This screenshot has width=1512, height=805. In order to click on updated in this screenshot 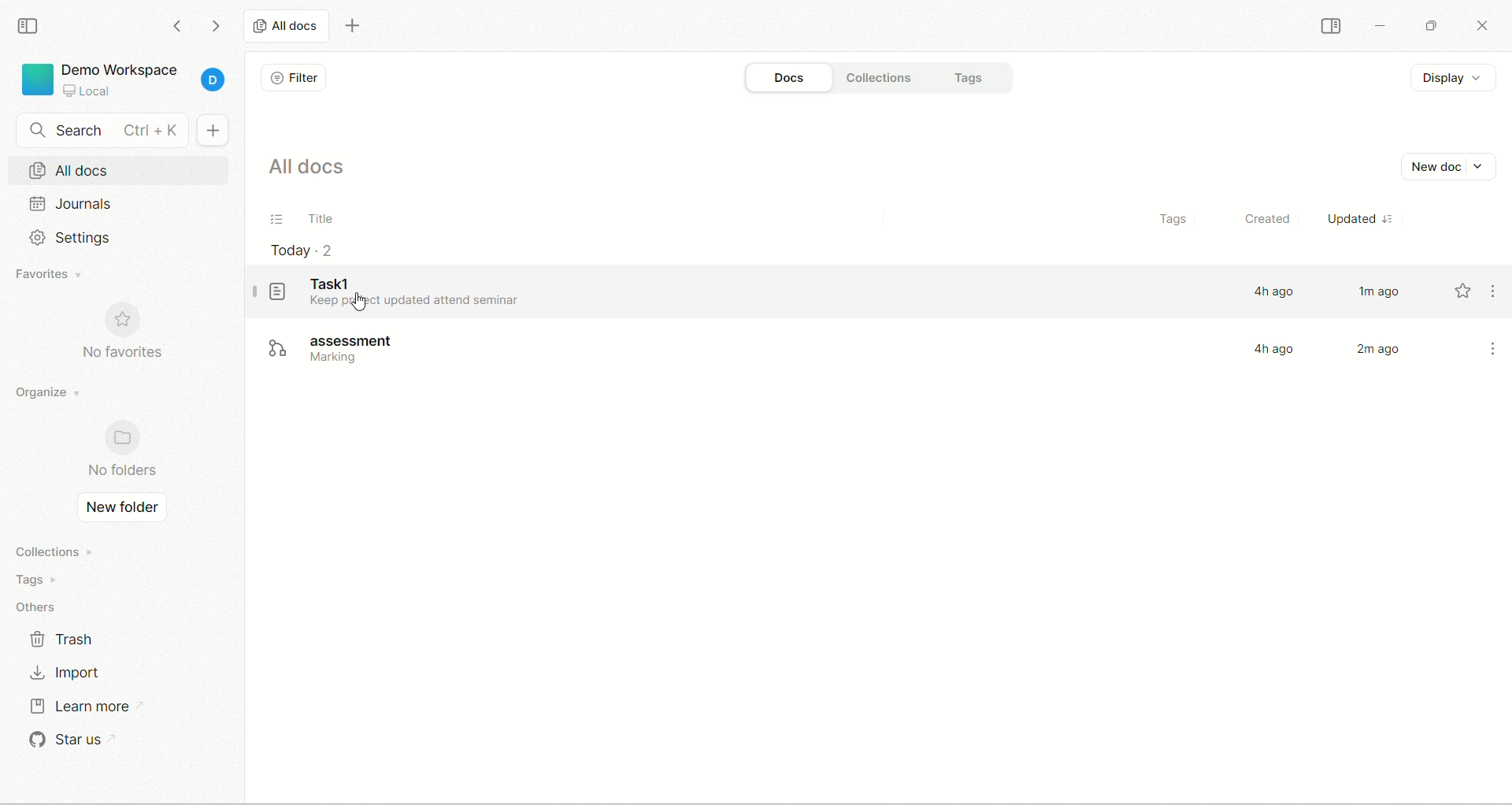, I will do `click(1360, 221)`.